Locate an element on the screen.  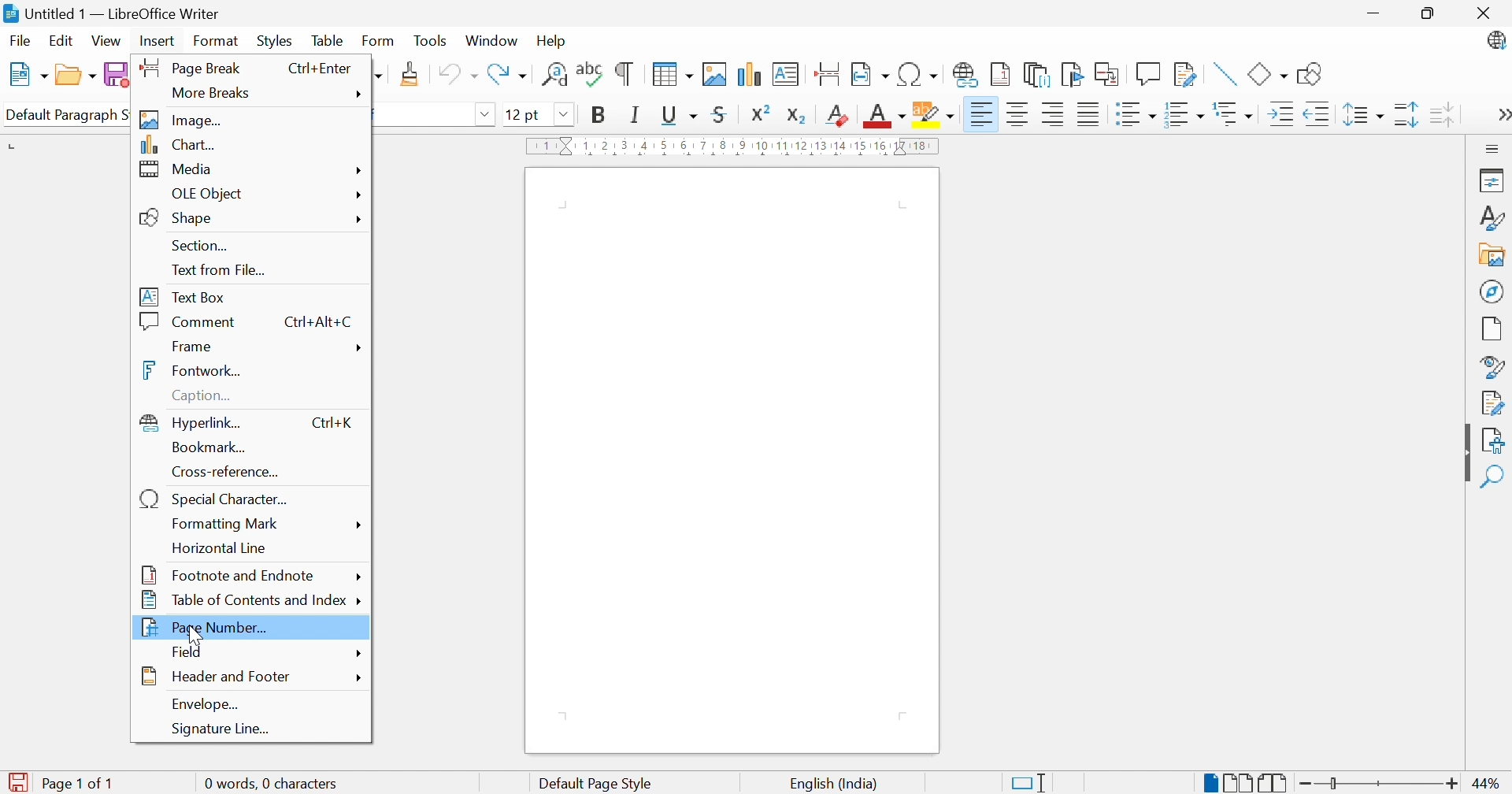
Sidebar settings is located at coordinates (1495, 147).